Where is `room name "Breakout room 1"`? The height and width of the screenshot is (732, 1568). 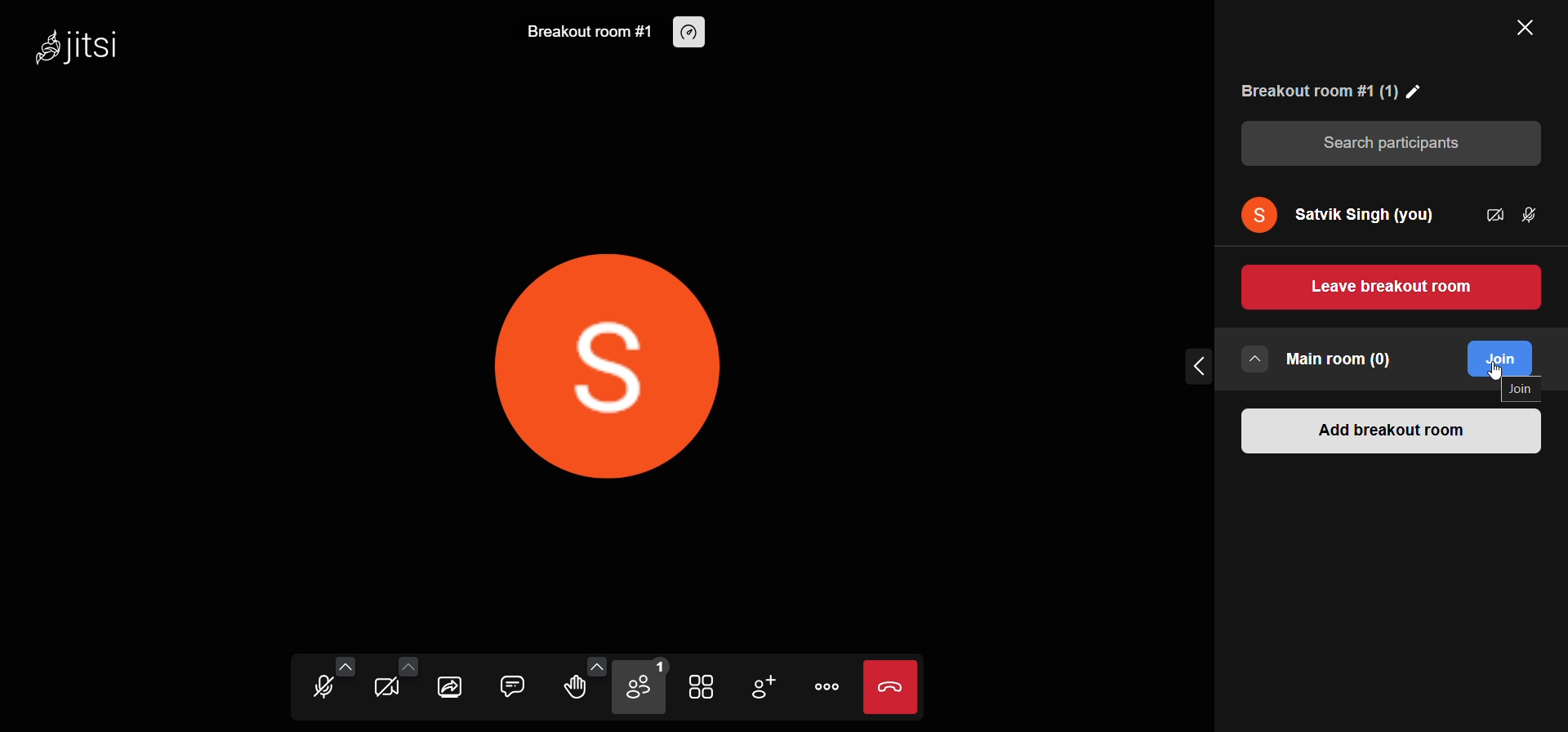 room name "Breakout room 1" is located at coordinates (1333, 91).